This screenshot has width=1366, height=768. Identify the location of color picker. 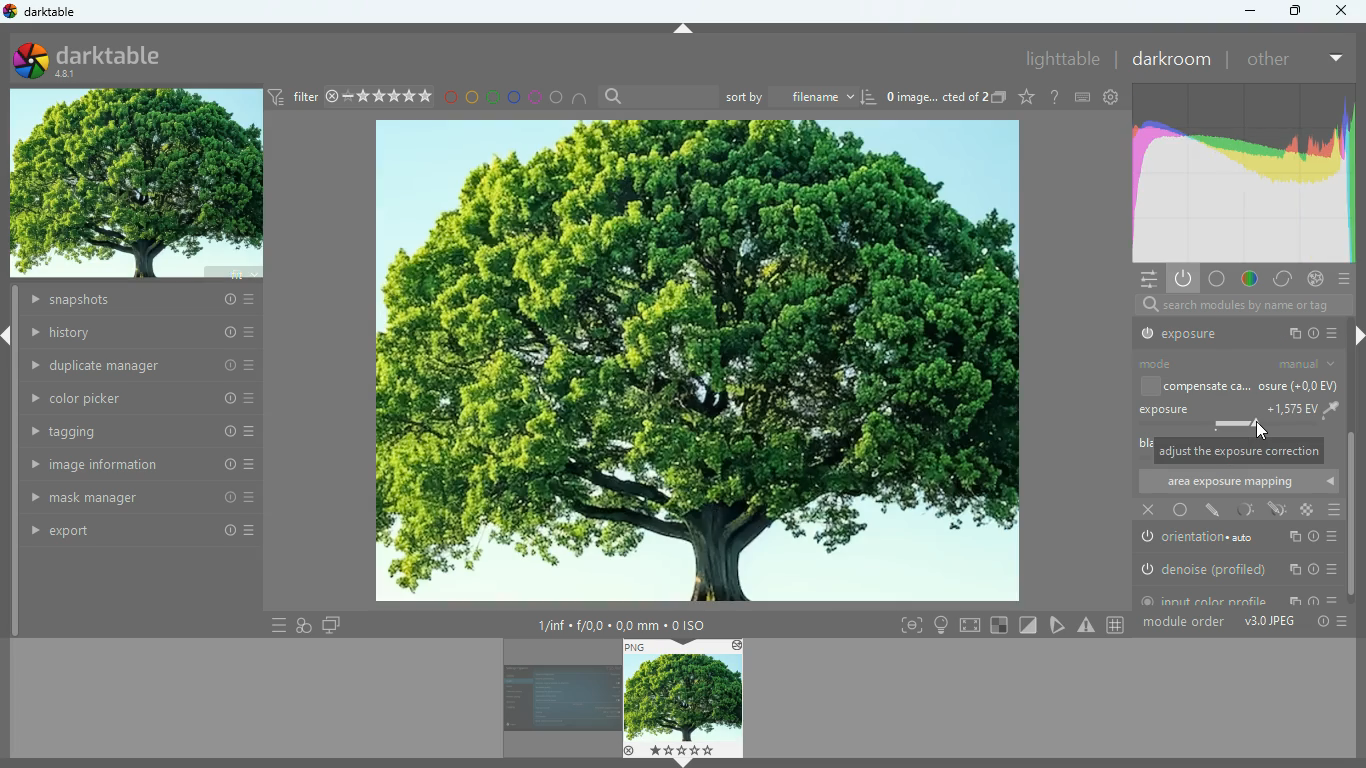
(134, 401).